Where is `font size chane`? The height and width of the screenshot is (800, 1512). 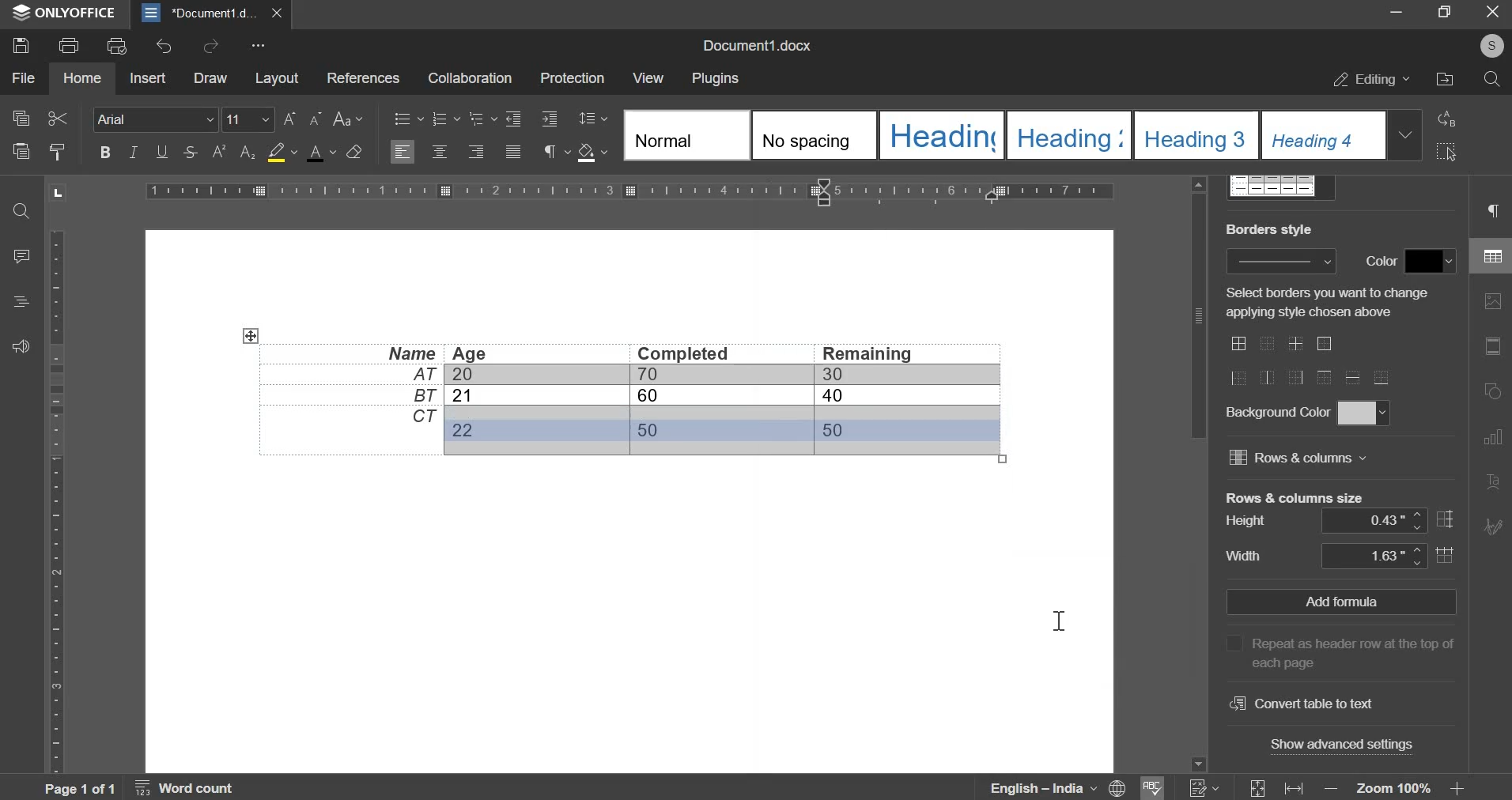
font size chane is located at coordinates (301, 116).